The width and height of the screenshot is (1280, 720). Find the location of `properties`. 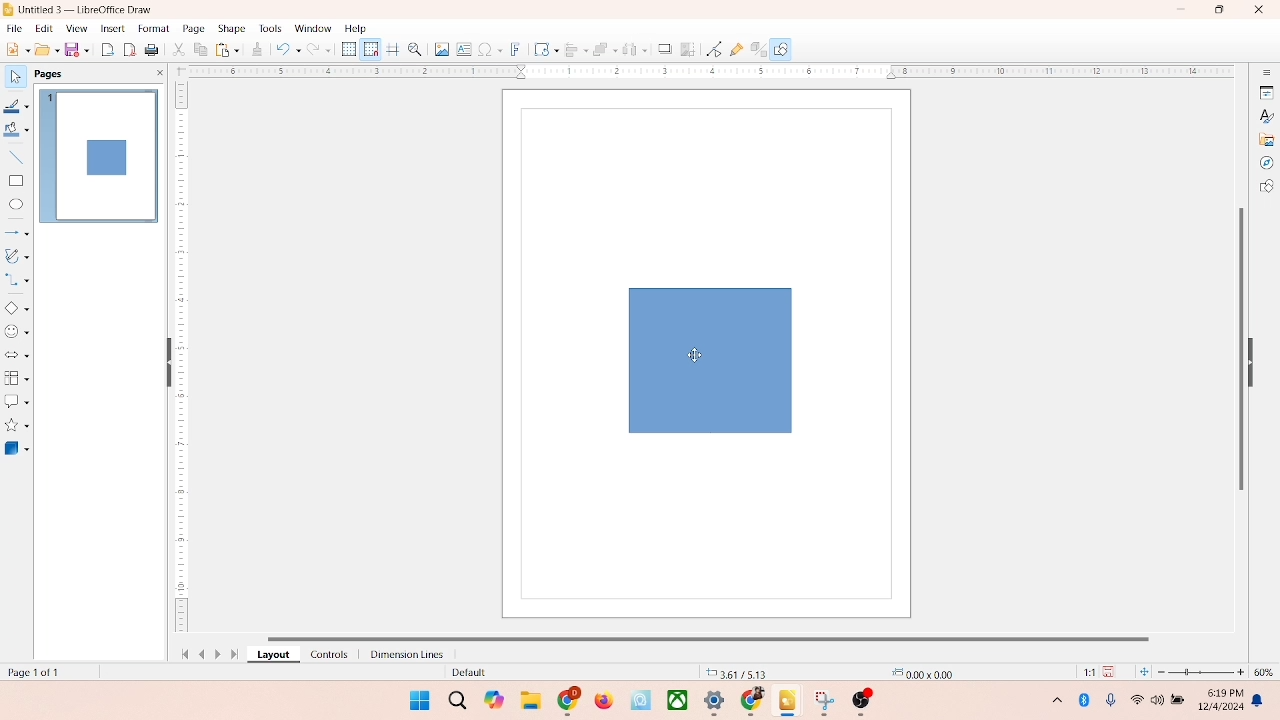

properties is located at coordinates (1265, 91).